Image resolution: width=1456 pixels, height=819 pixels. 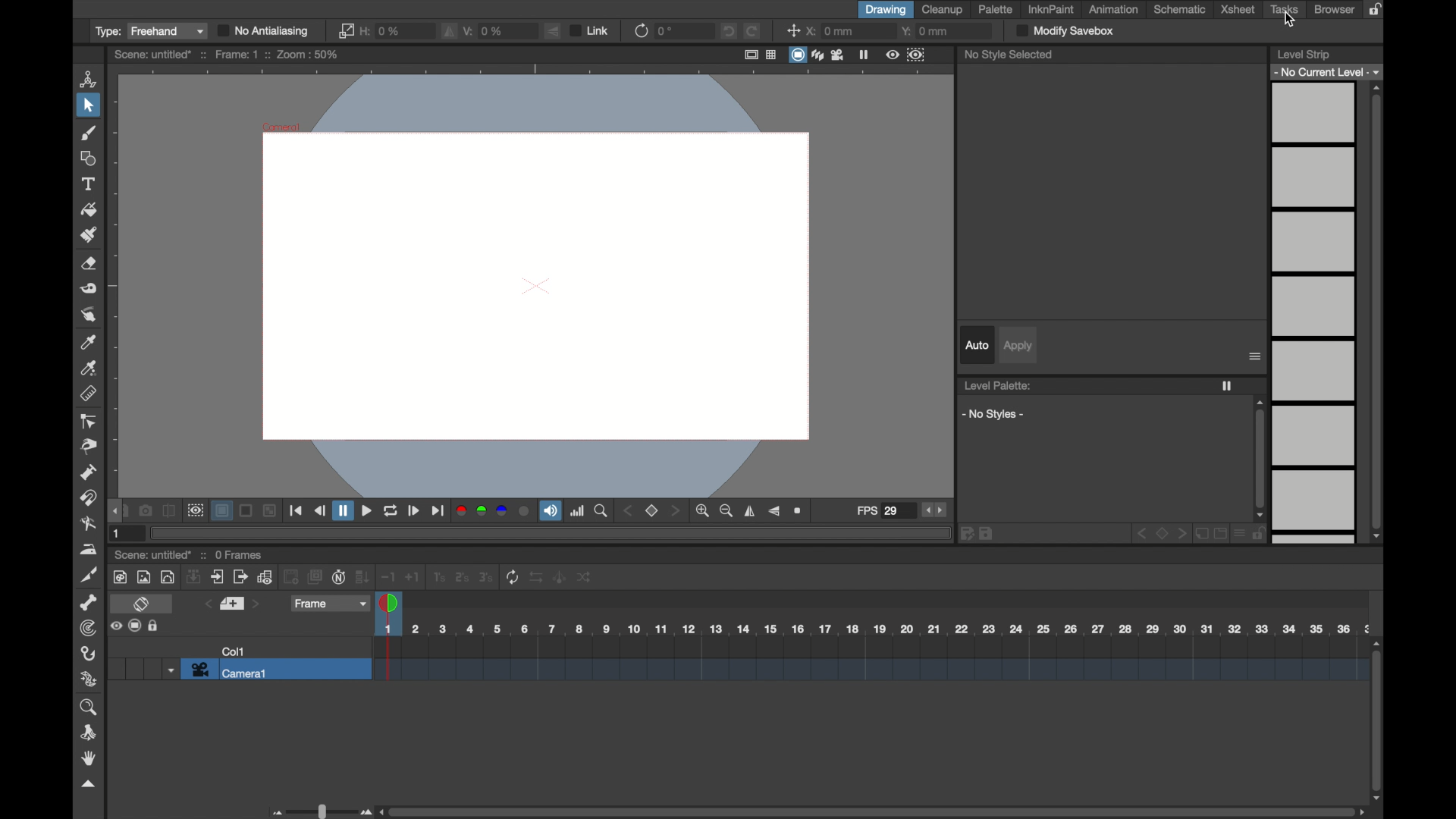 What do you see at coordinates (390, 605) in the screenshot?
I see `playhead` at bounding box center [390, 605].